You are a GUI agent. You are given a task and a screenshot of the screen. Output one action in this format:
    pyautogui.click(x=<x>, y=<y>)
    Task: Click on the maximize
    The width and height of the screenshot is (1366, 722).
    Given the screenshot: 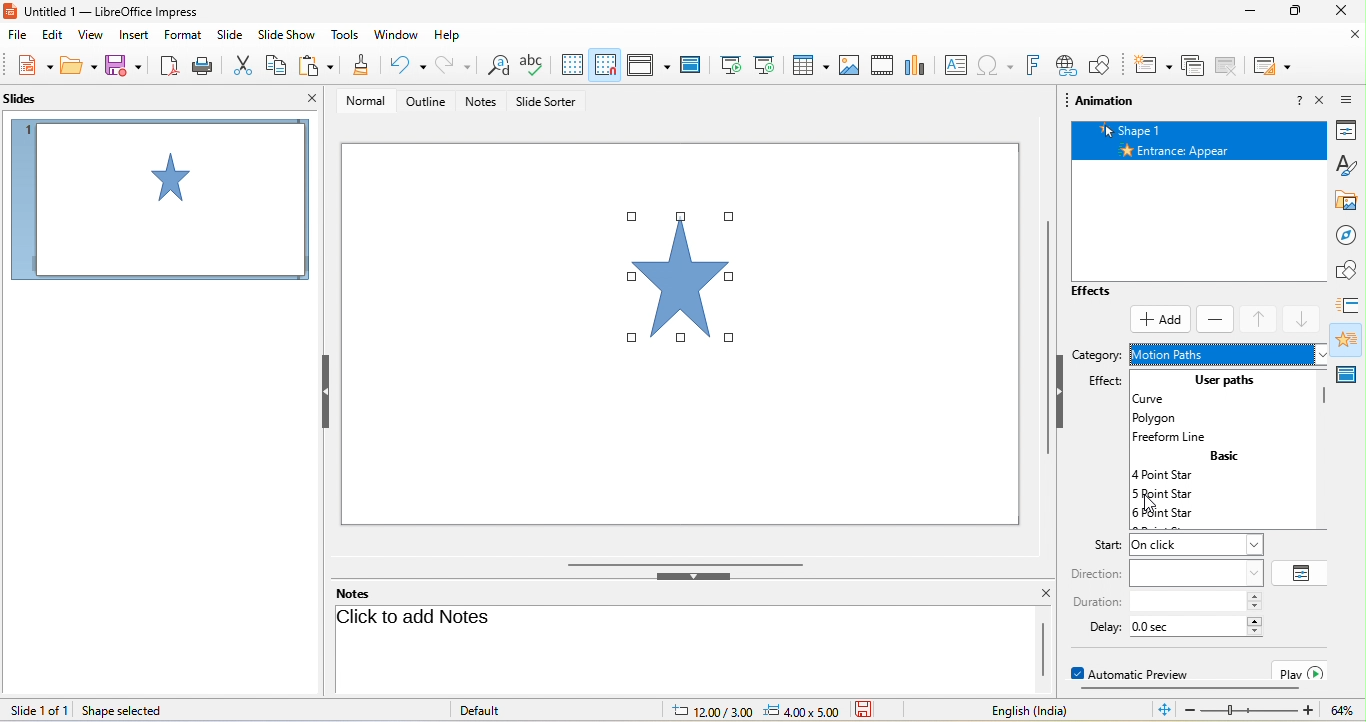 What is the action you would take?
    pyautogui.click(x=1296, y=10)
    